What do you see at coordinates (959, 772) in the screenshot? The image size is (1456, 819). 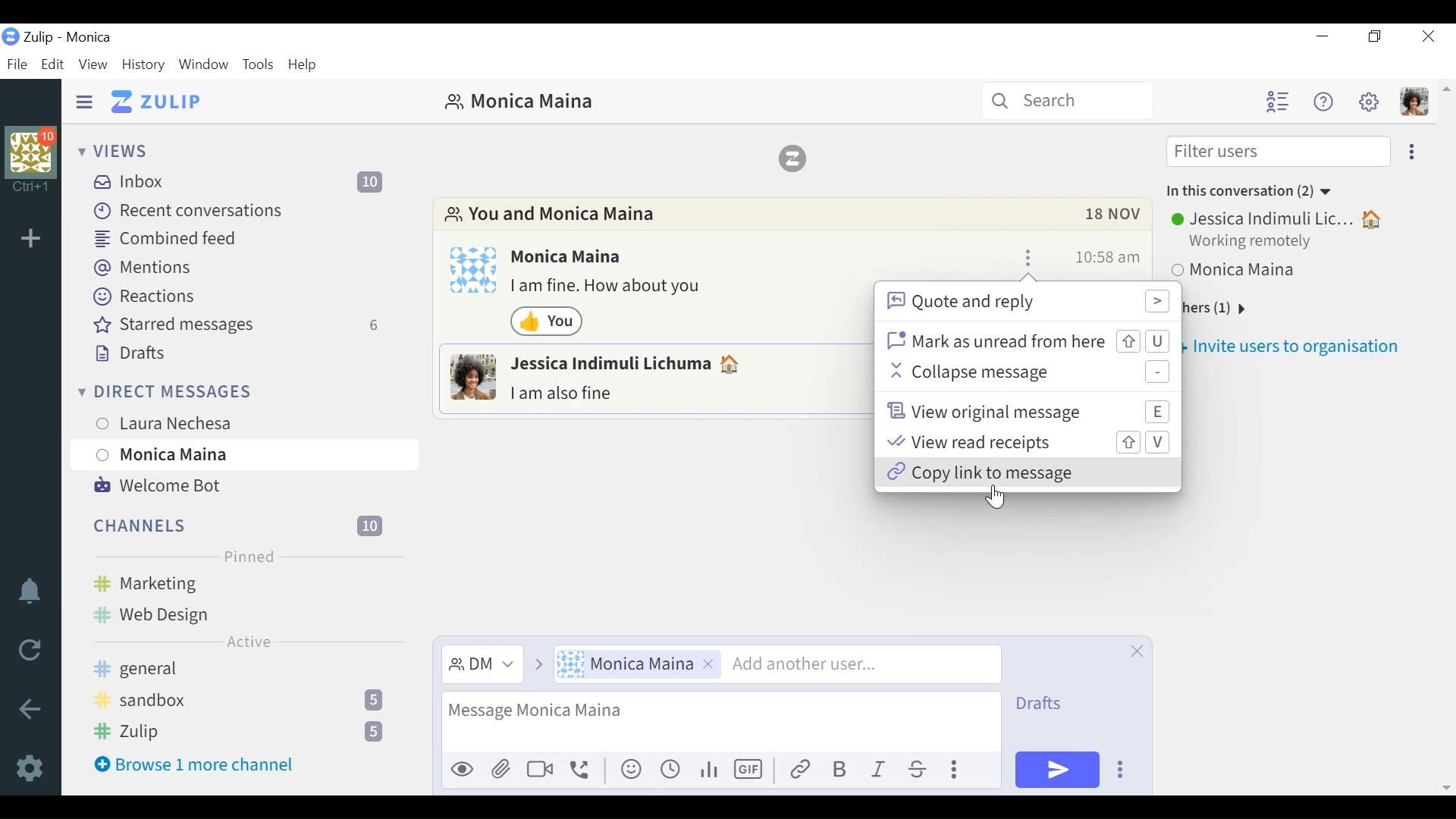 I see `Ellipsis` at bounding box center [959, 772].